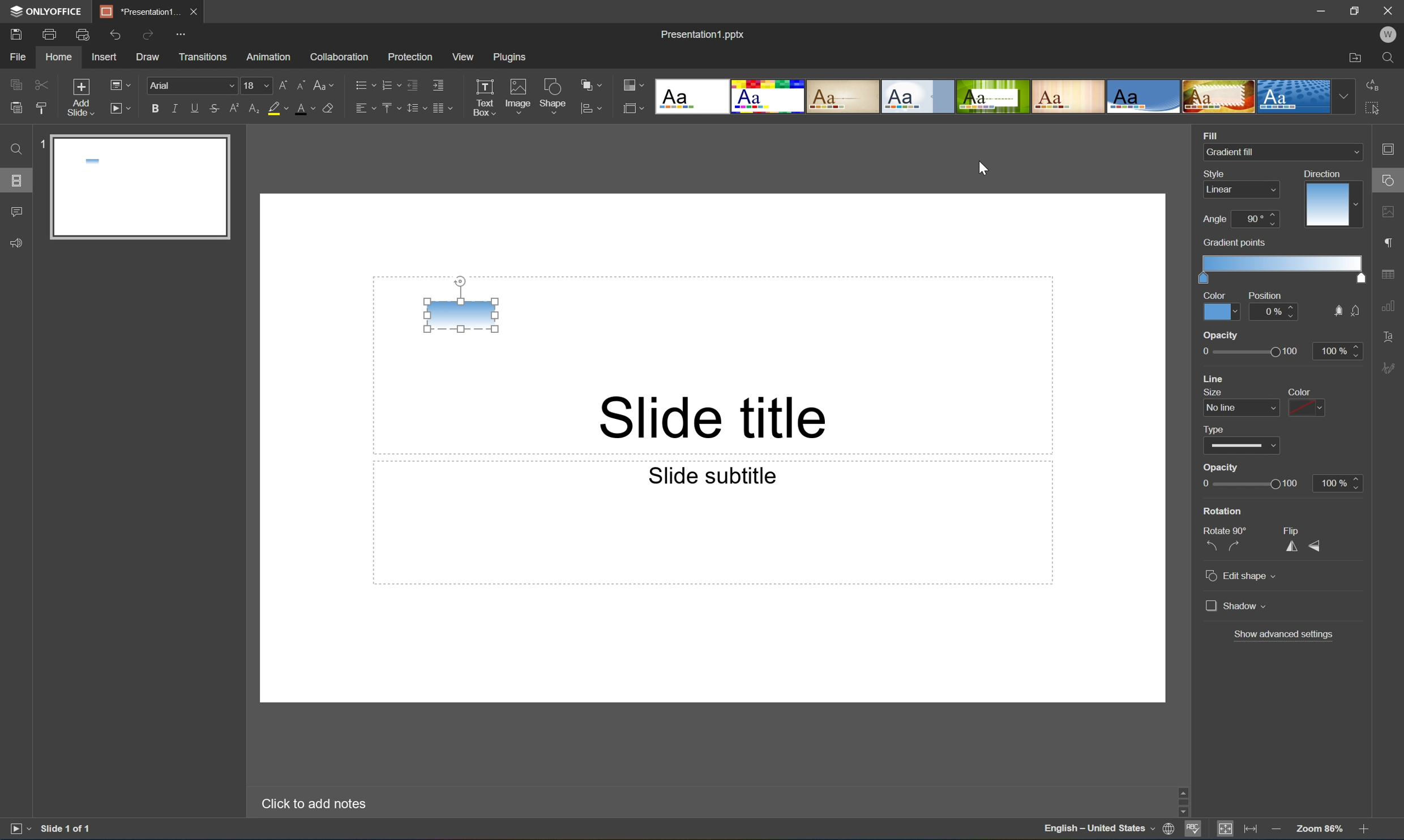  I want to click on Slides, so click(19, 181).